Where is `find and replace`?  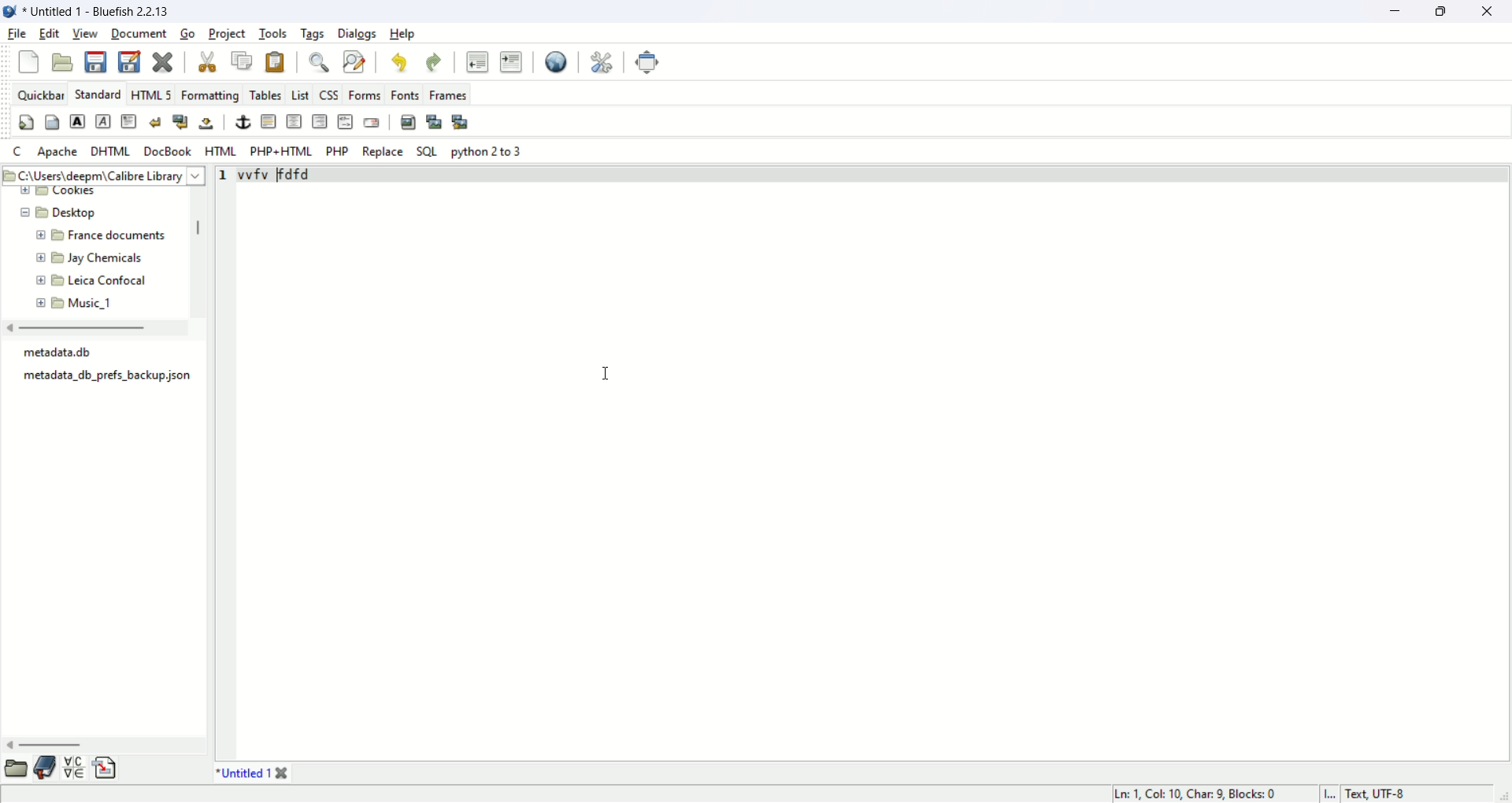 find and replace is located at coordinates (355, 61).